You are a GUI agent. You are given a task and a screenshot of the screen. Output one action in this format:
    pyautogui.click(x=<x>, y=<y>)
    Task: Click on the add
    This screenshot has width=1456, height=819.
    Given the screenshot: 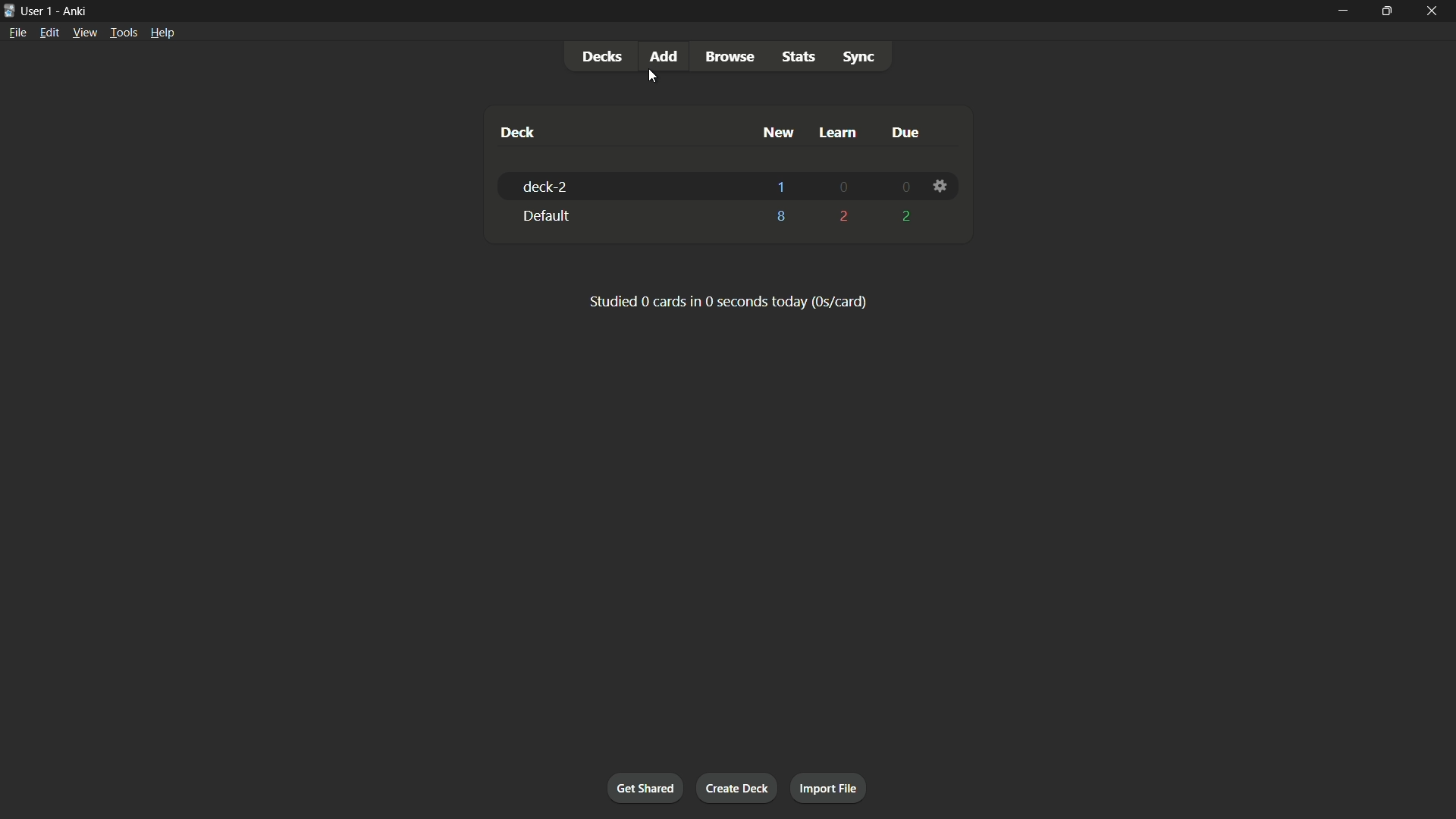 What is the action you would take?
    pyautogui.click(x=662, y=56)
    